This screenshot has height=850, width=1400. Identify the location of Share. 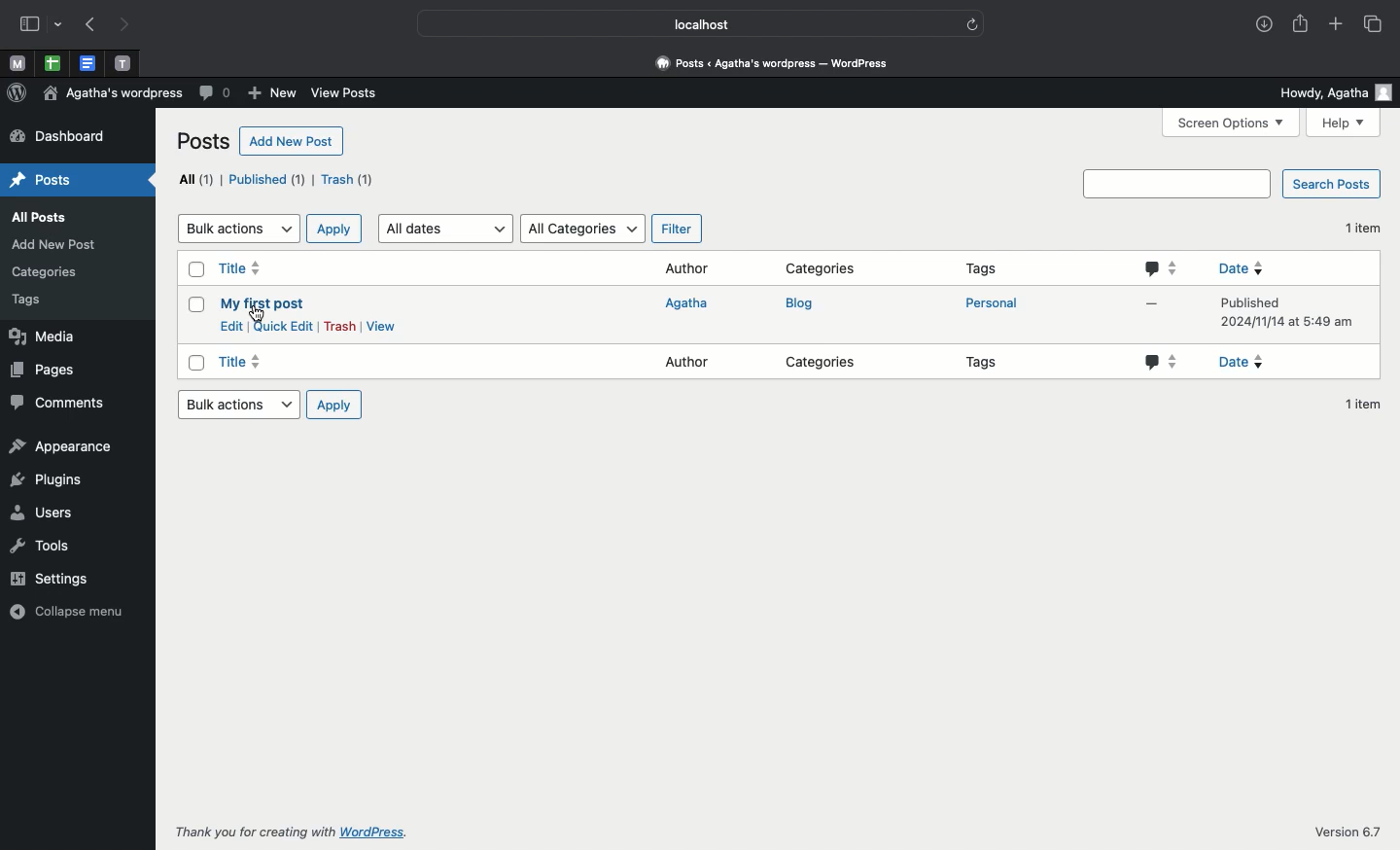
(1303, 25).